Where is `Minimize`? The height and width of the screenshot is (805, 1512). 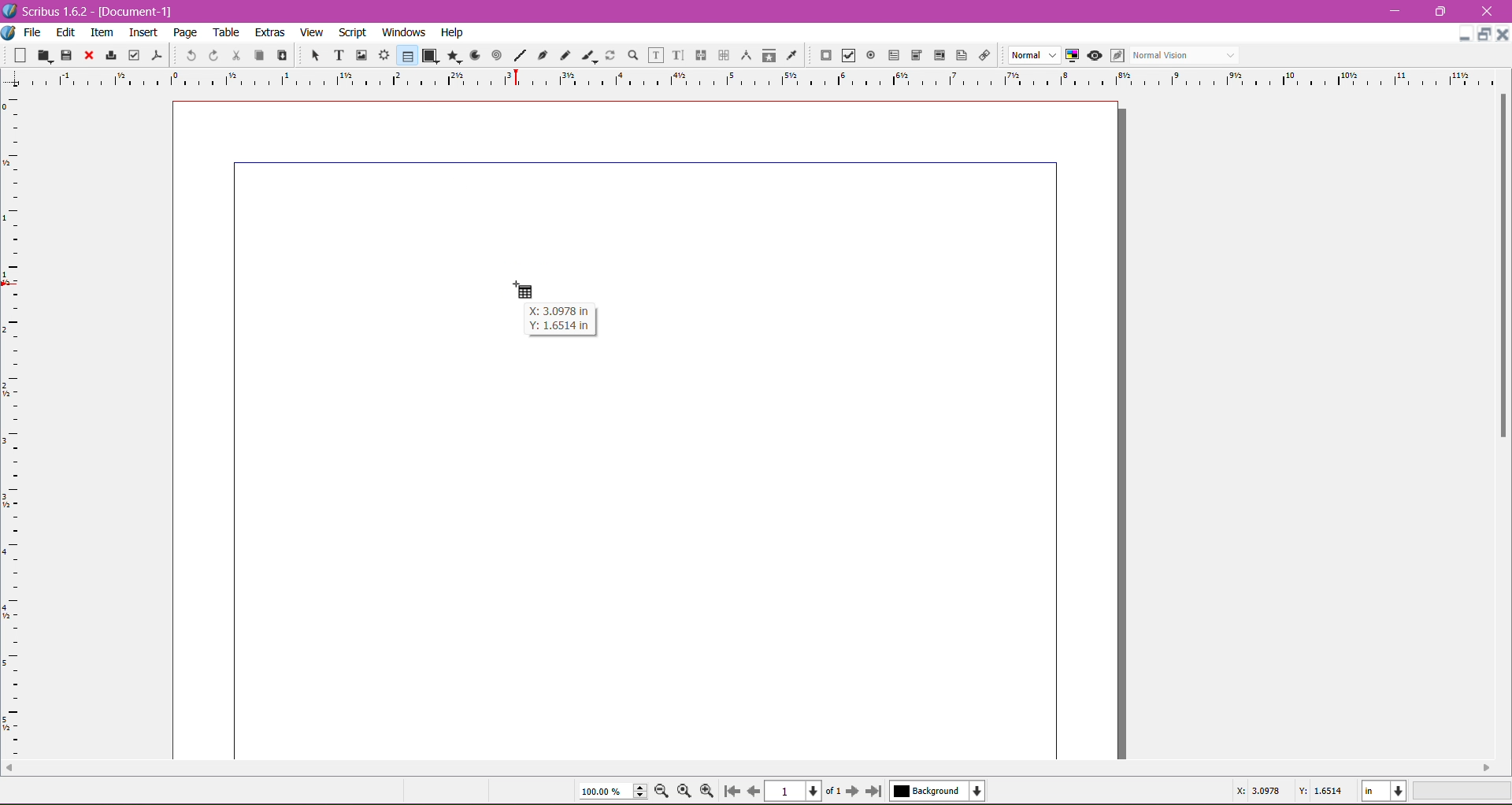 Minimize is located at coordinates (1399, 9).